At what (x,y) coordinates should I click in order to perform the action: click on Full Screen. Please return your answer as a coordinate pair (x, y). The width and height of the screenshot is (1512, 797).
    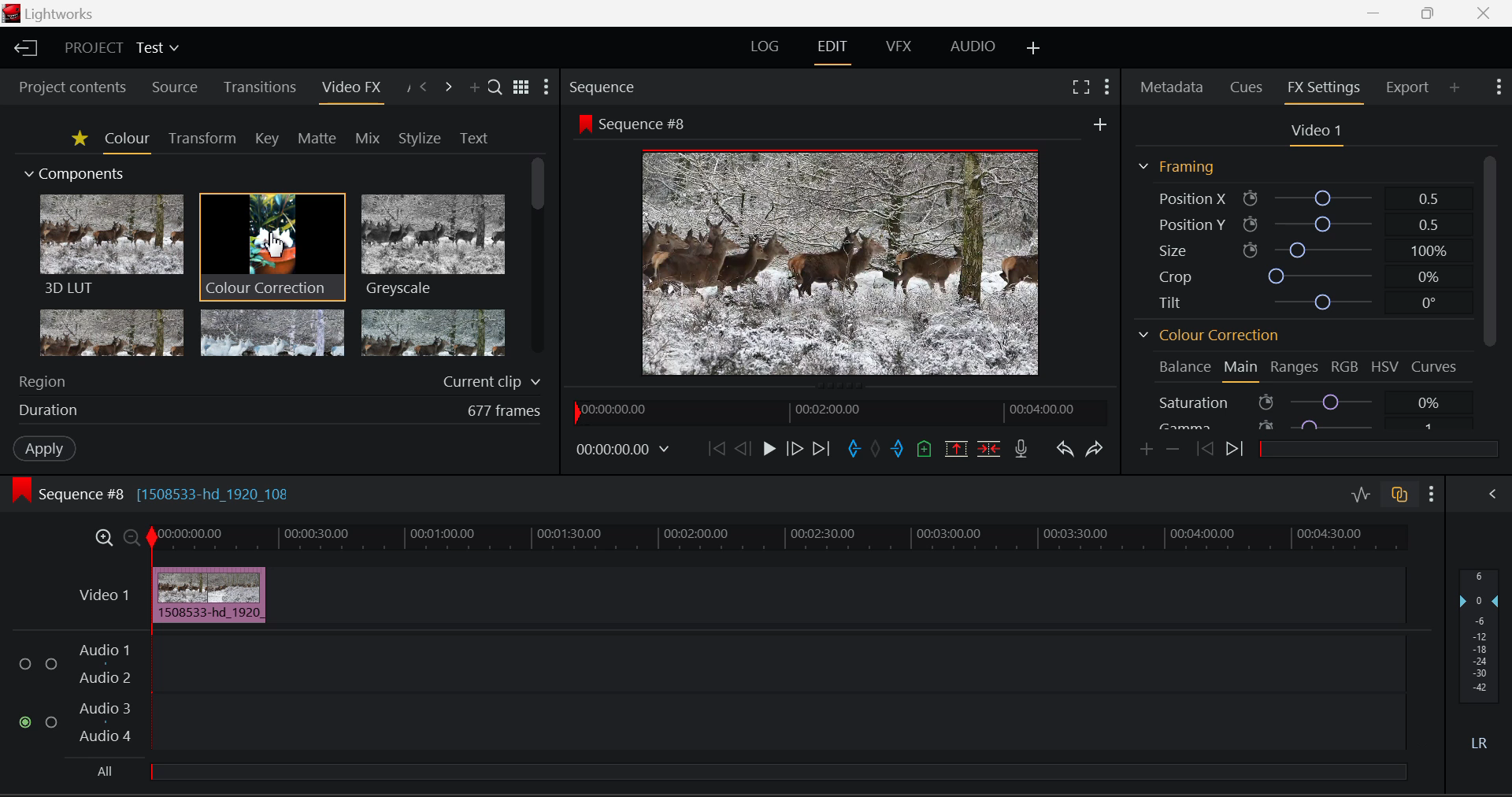
    Looking at the image, I should click on (1081, 88).